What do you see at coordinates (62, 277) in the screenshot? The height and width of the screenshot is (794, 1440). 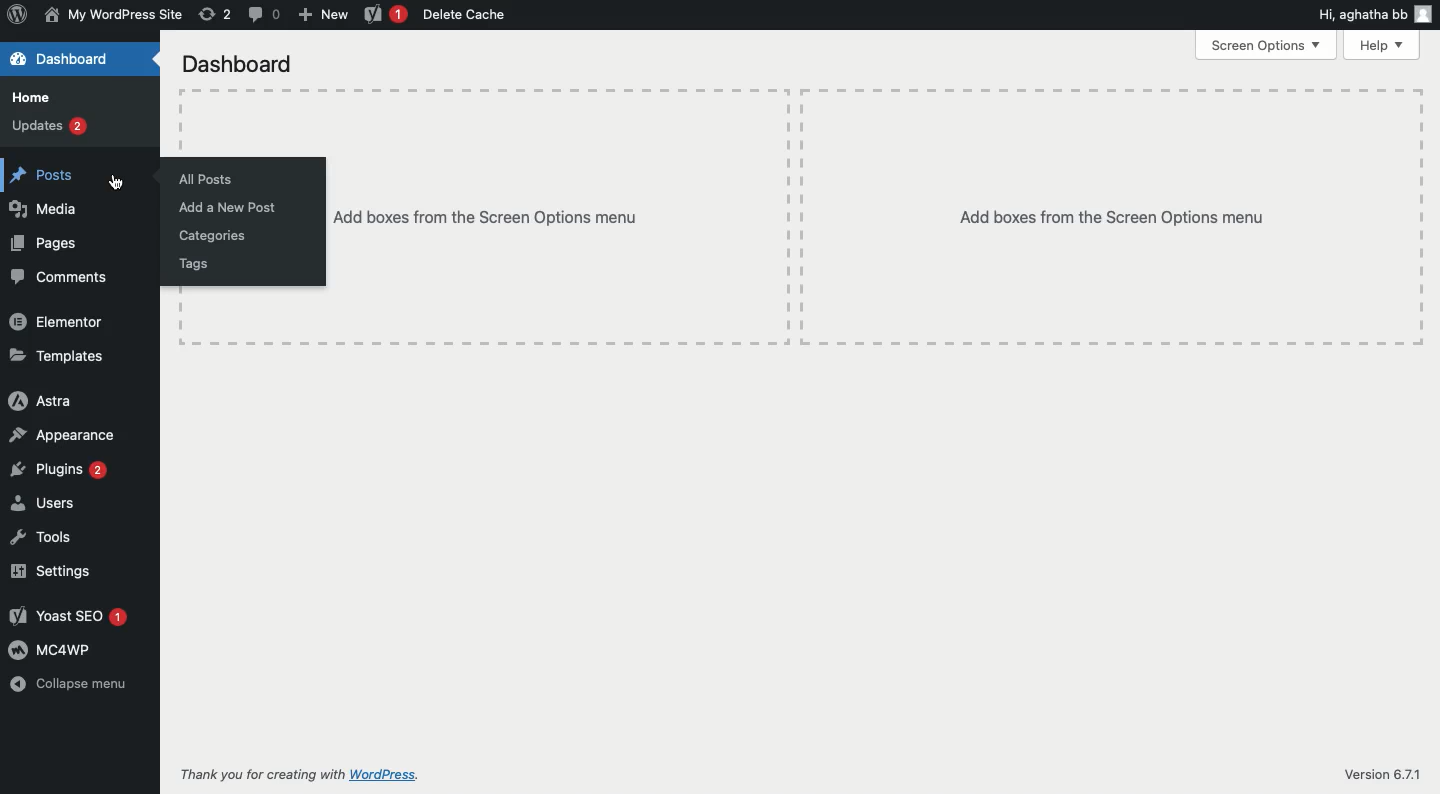 I see `Comments` at bounding box center [62, 277].